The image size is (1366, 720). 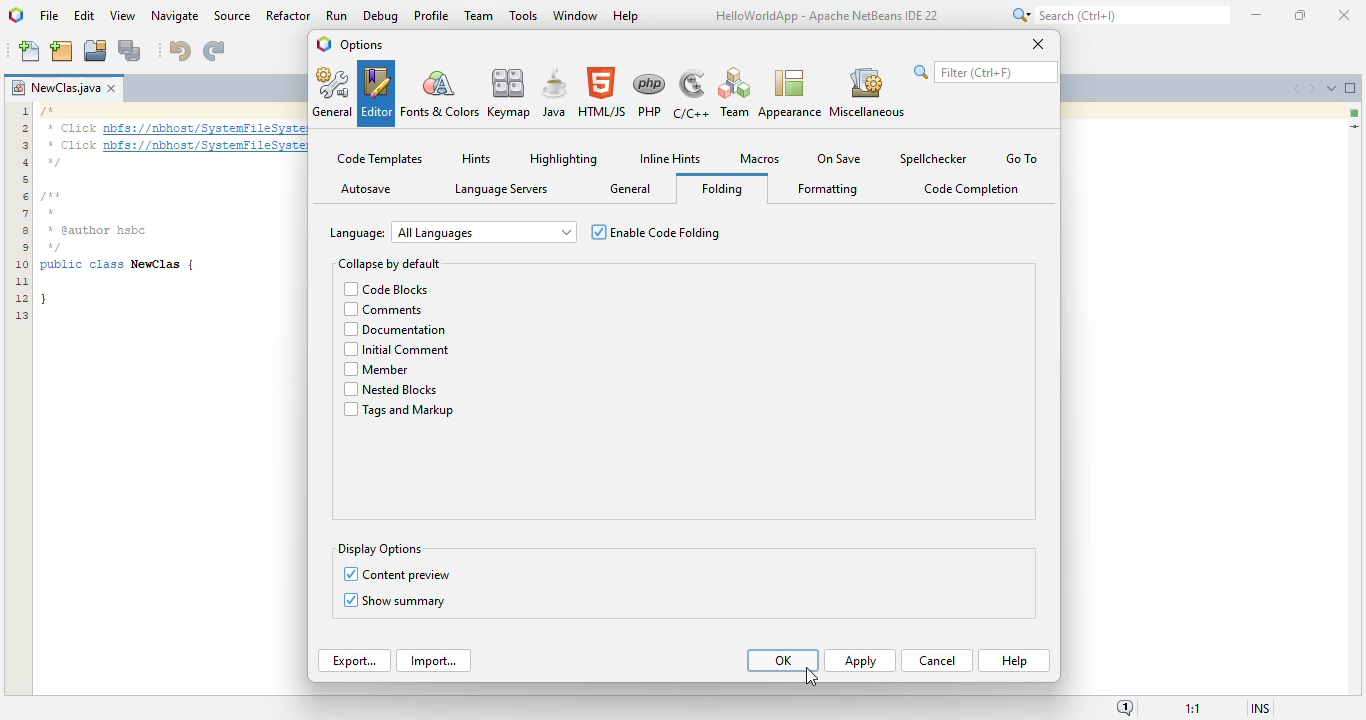 What do you see at coordinates (123, 15) in the screenshot?
I see `view` at bounding box center [123, 15].